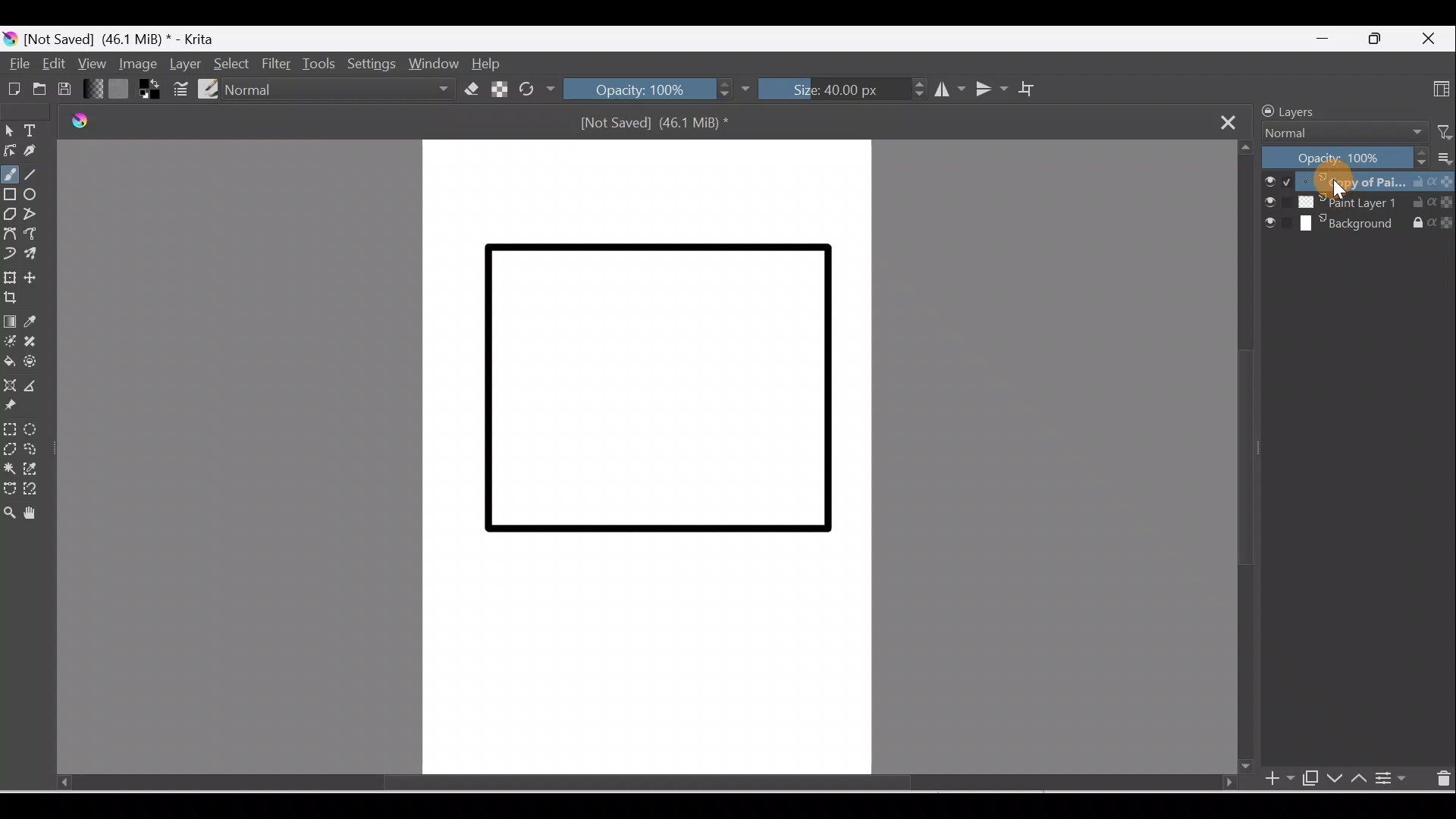 The height and width of the screenshot is (819, 1456). I want to click on Normal Blending mode, so click(344, 89).